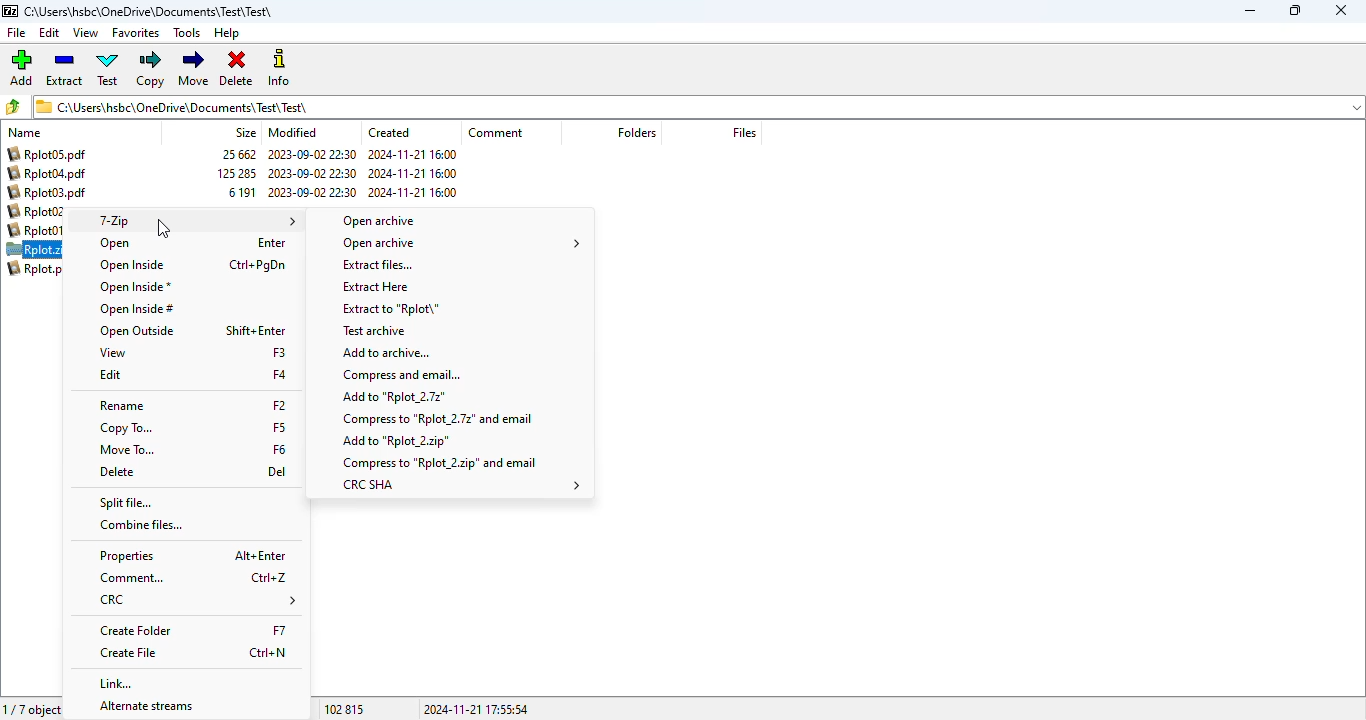 This screenshot has width=1366, height=720. What do you see at coordinates (280, 374) in the screenshot?
I see `F4` at bounding box center [280, 374].